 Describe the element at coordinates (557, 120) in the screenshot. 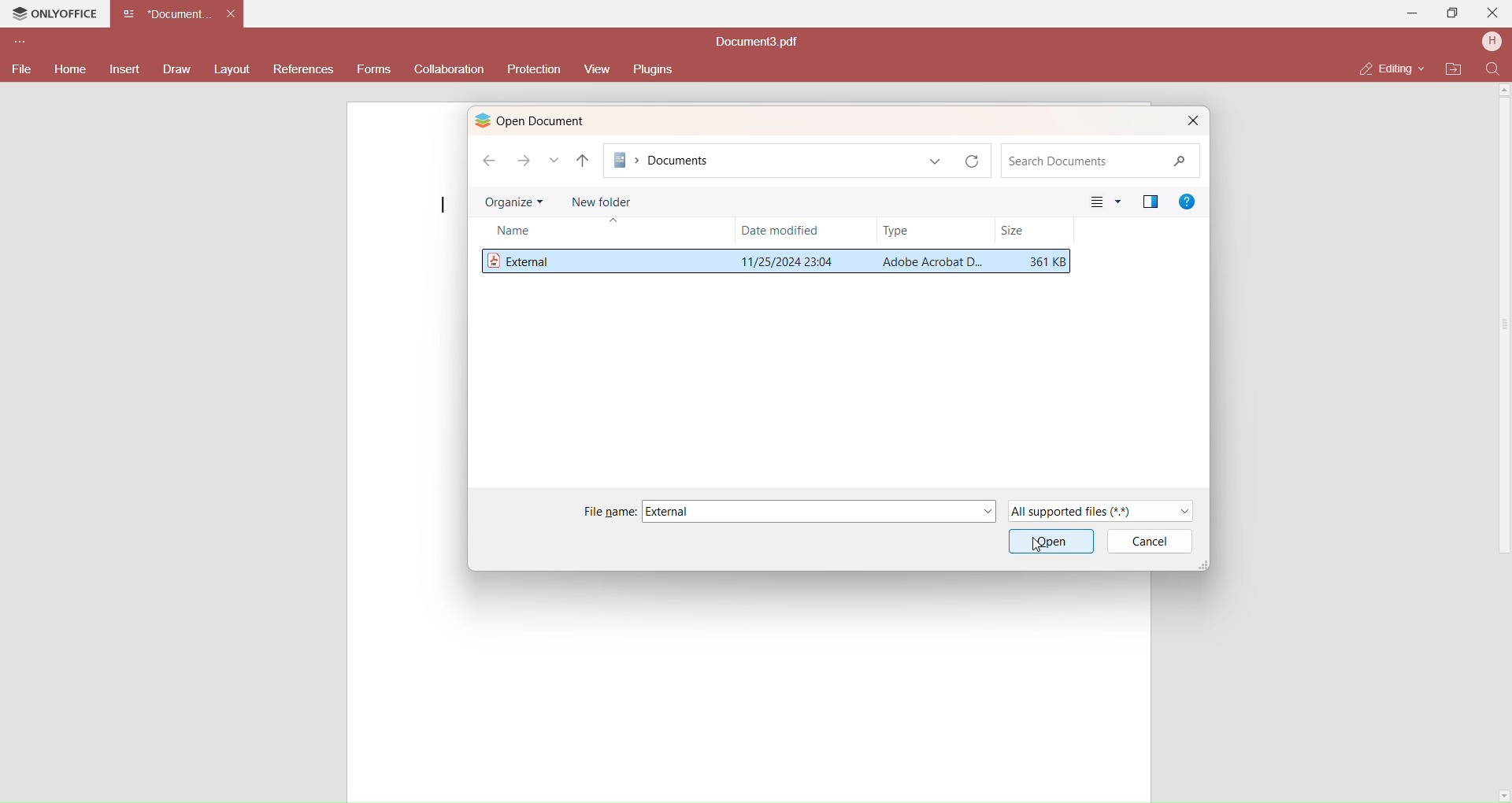

I see `Open Document` at that location.